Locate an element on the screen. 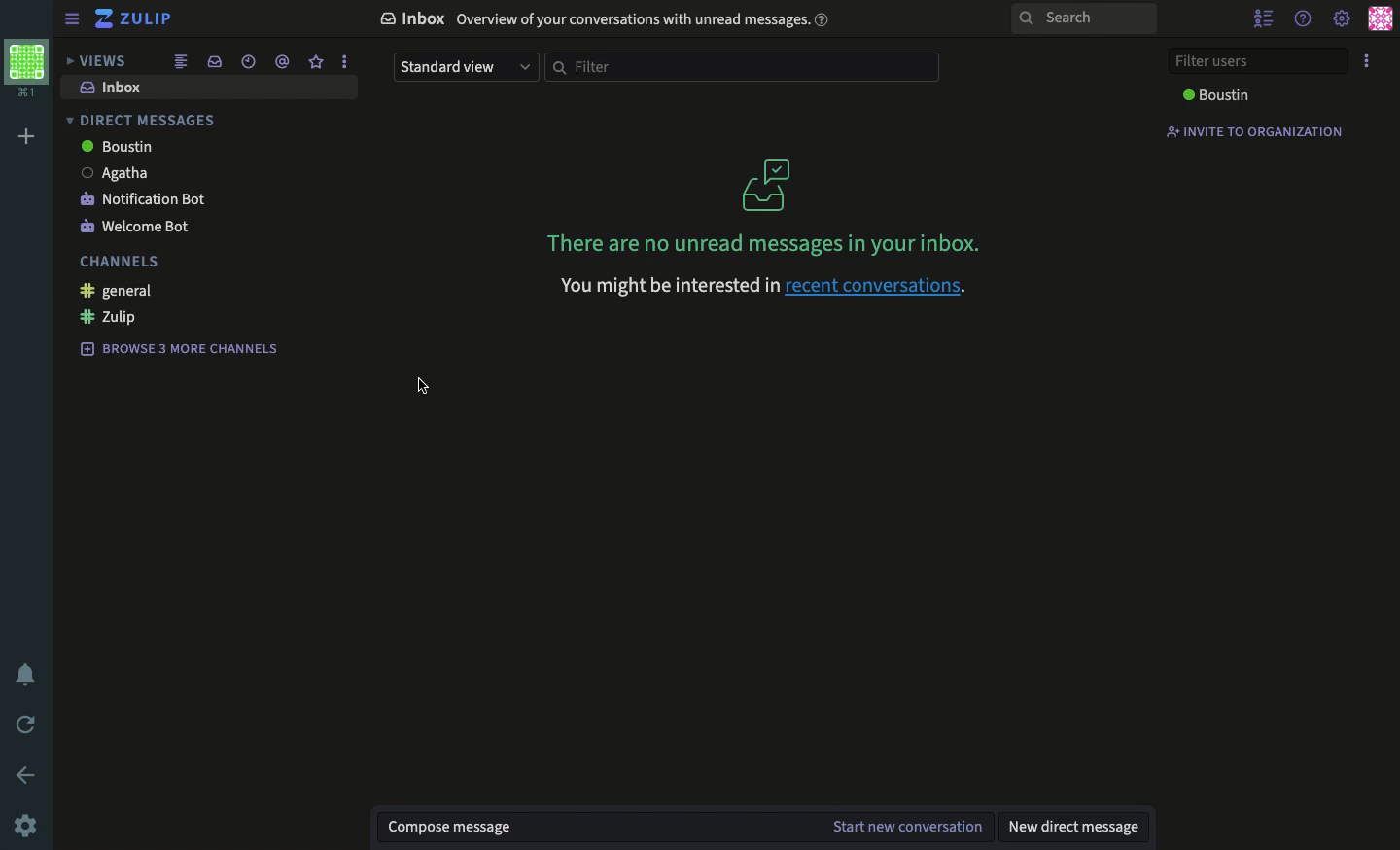 The height and width of the screenshot is (850, 1400). refresh is located at coordinates (30, 726).